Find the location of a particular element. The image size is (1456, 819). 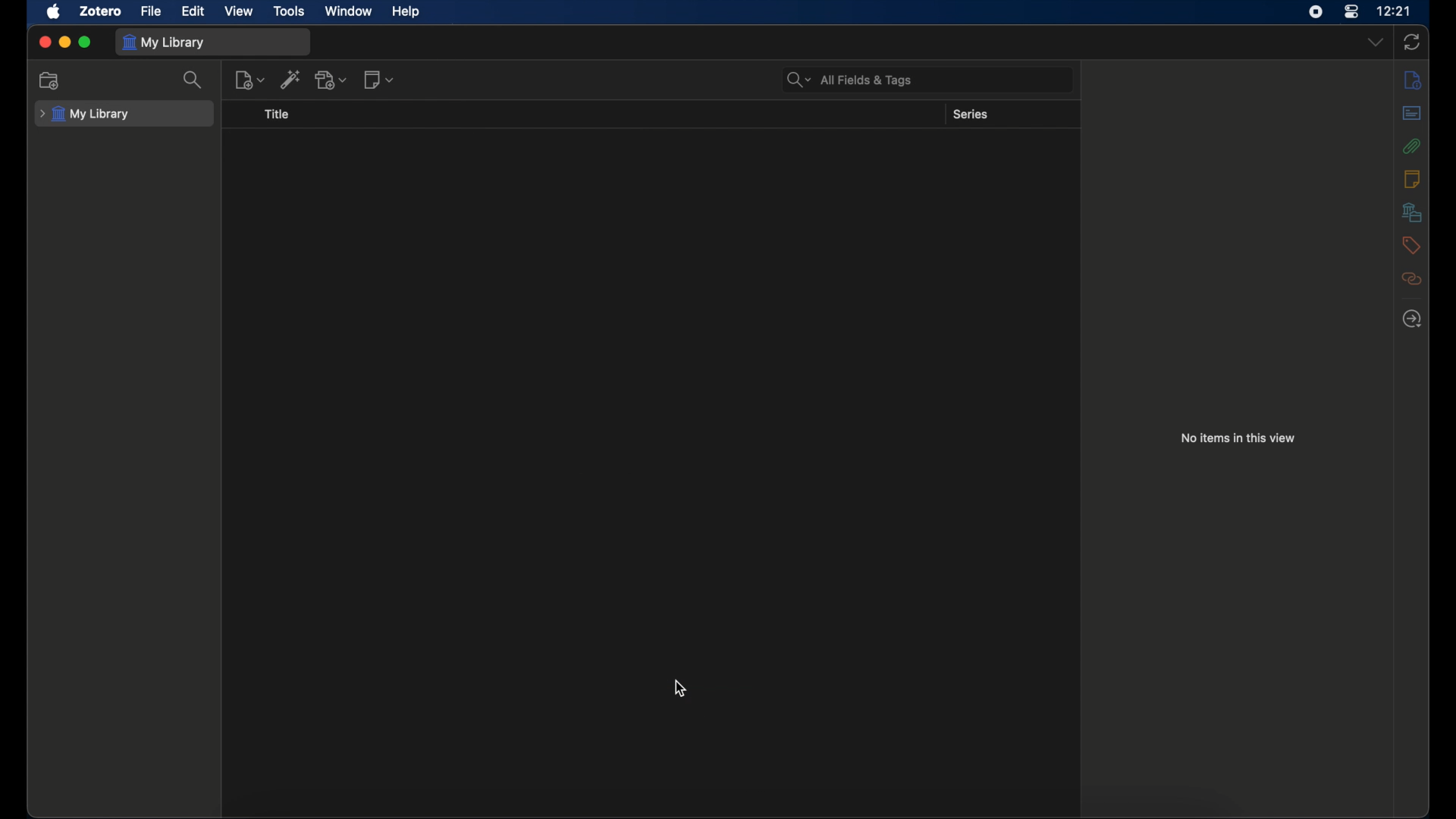

new collections is located at coordinates (49, 81).